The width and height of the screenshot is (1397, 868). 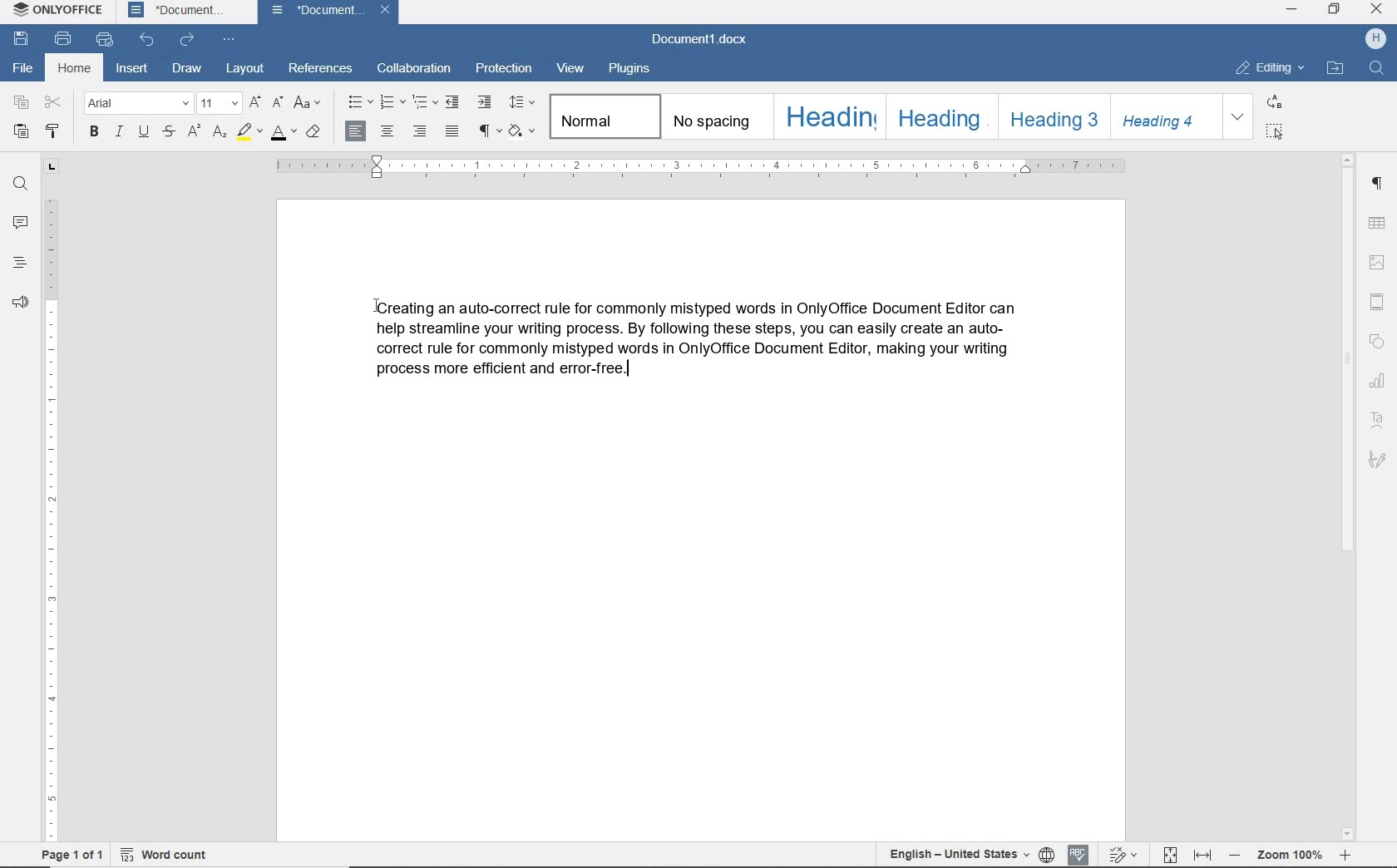 I want to click on text art, so click(x=1380, y=420).